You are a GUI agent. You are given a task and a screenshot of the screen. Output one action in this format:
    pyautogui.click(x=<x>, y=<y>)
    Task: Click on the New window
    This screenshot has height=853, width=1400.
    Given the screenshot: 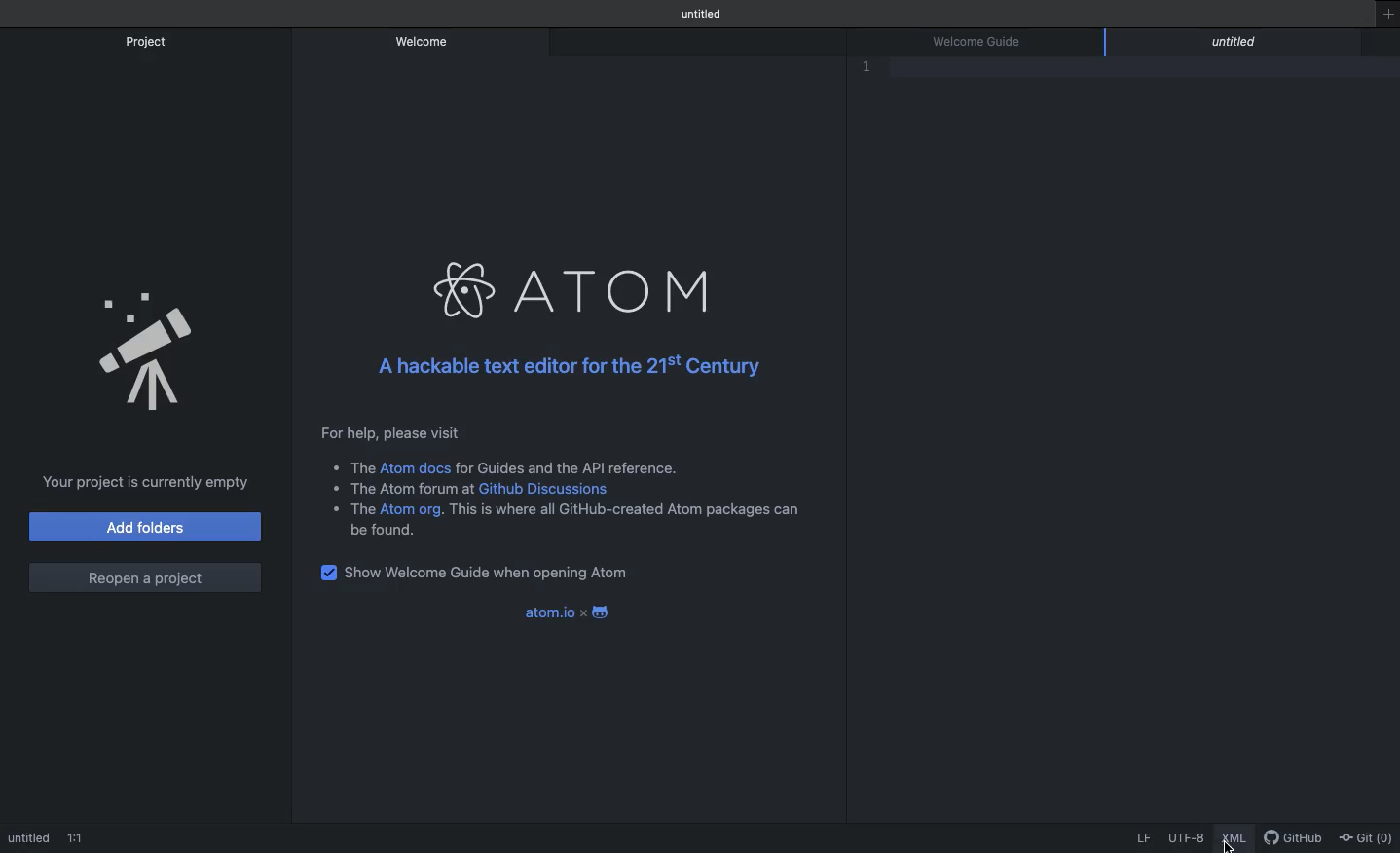 What is the action you would take?
    pyautogui.click(x=1385, y=22)
    